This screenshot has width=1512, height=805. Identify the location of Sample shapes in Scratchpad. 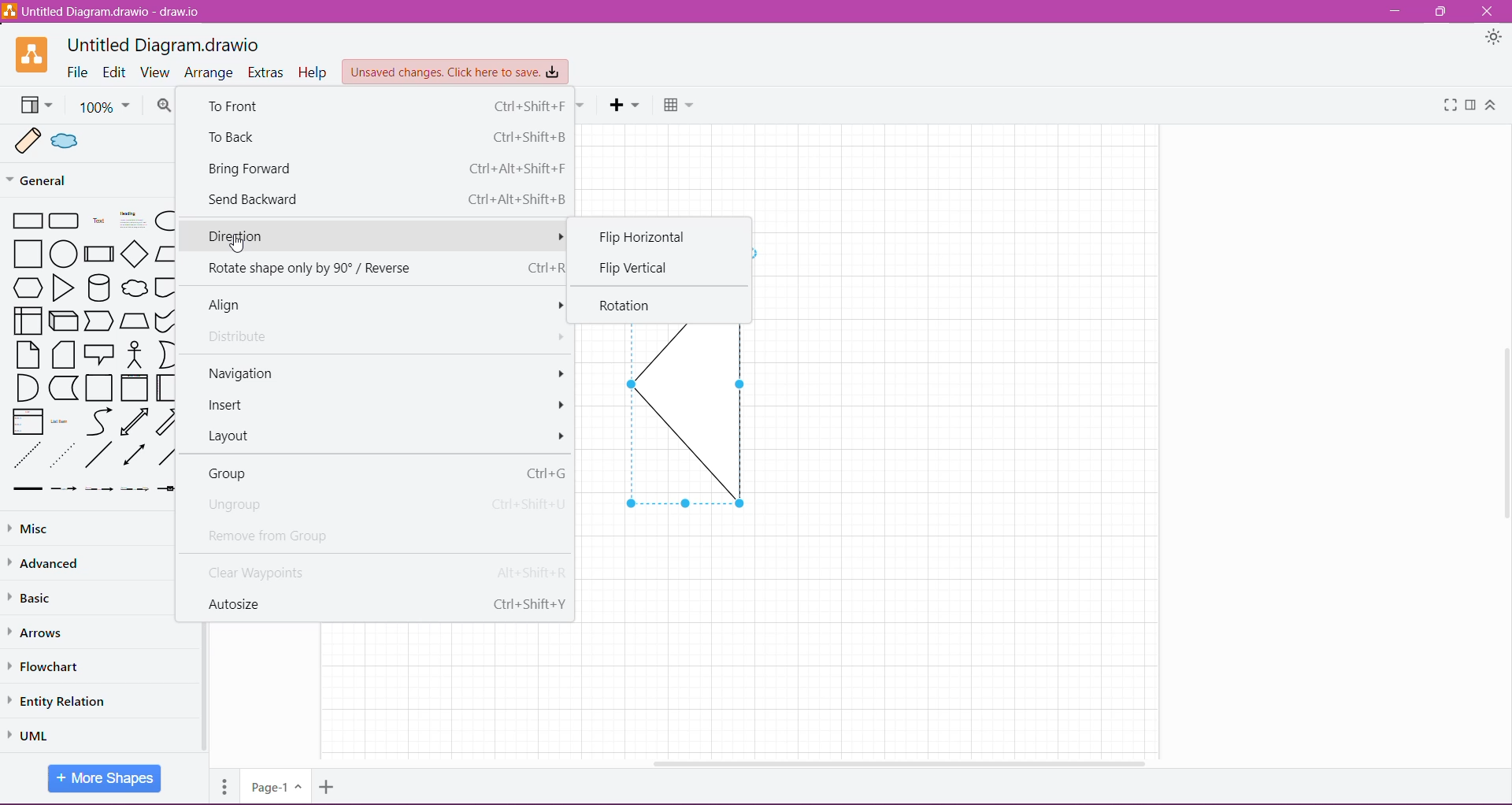
(54, 142).